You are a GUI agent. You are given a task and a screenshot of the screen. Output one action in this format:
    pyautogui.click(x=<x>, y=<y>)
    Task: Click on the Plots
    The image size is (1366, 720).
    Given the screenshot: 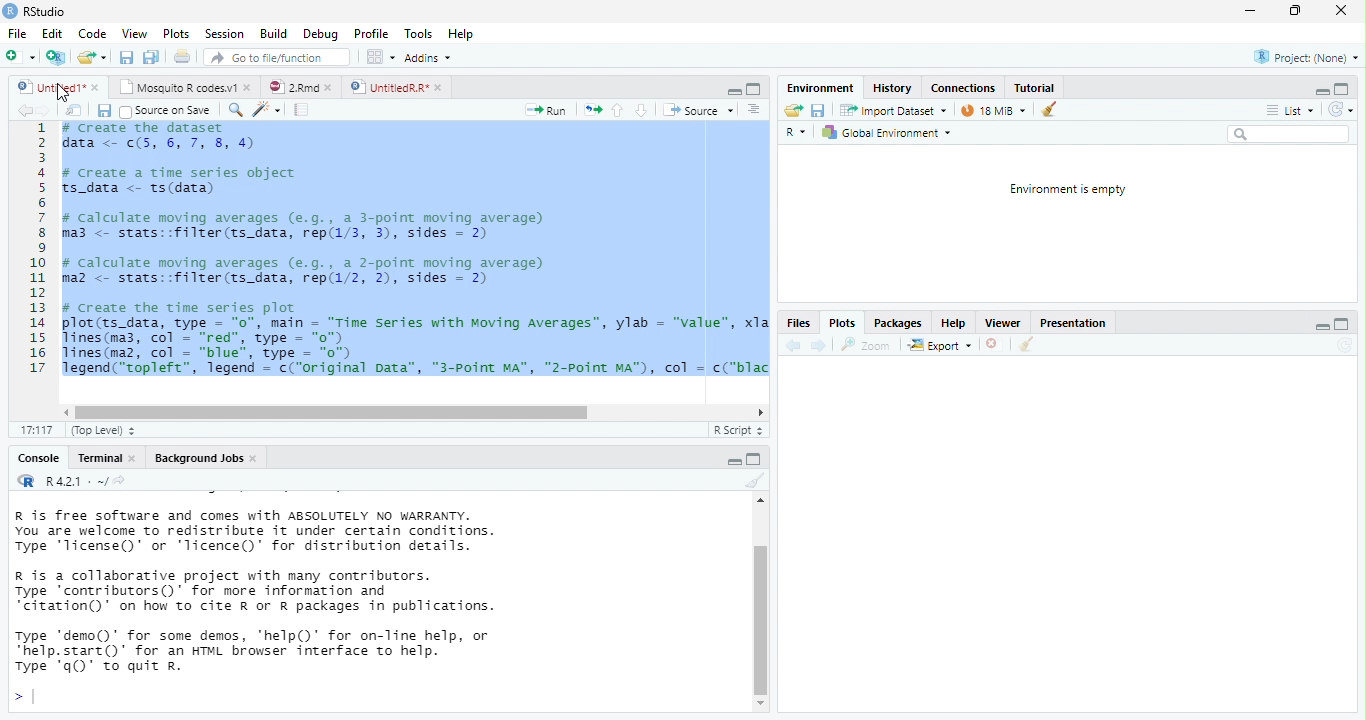 What is the action you would take?
    pyautogui.click(x=840, y=325)
    